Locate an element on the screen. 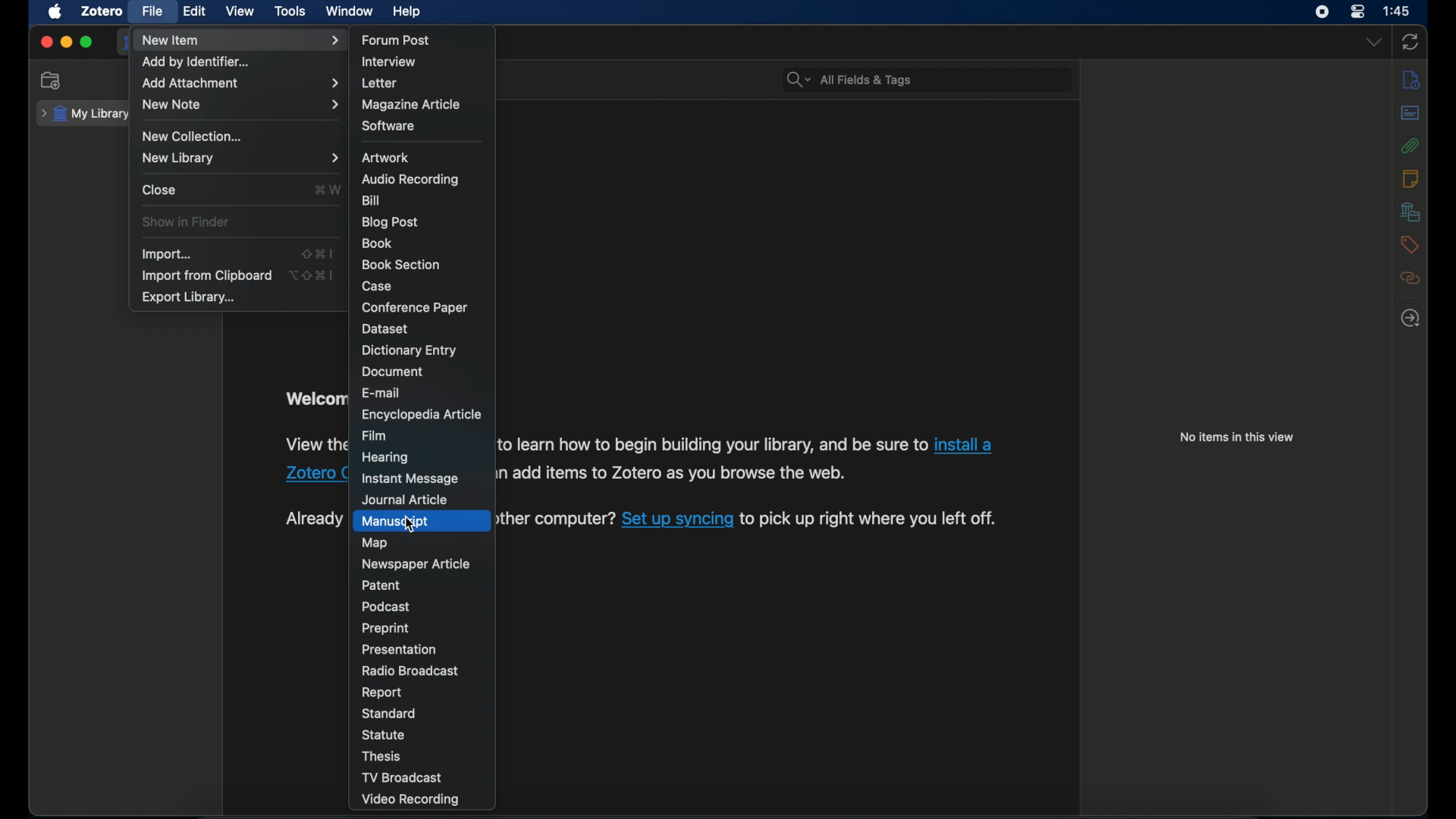 This screenshot has height=819, width=1456. my library is located at coordinates (86, 115).